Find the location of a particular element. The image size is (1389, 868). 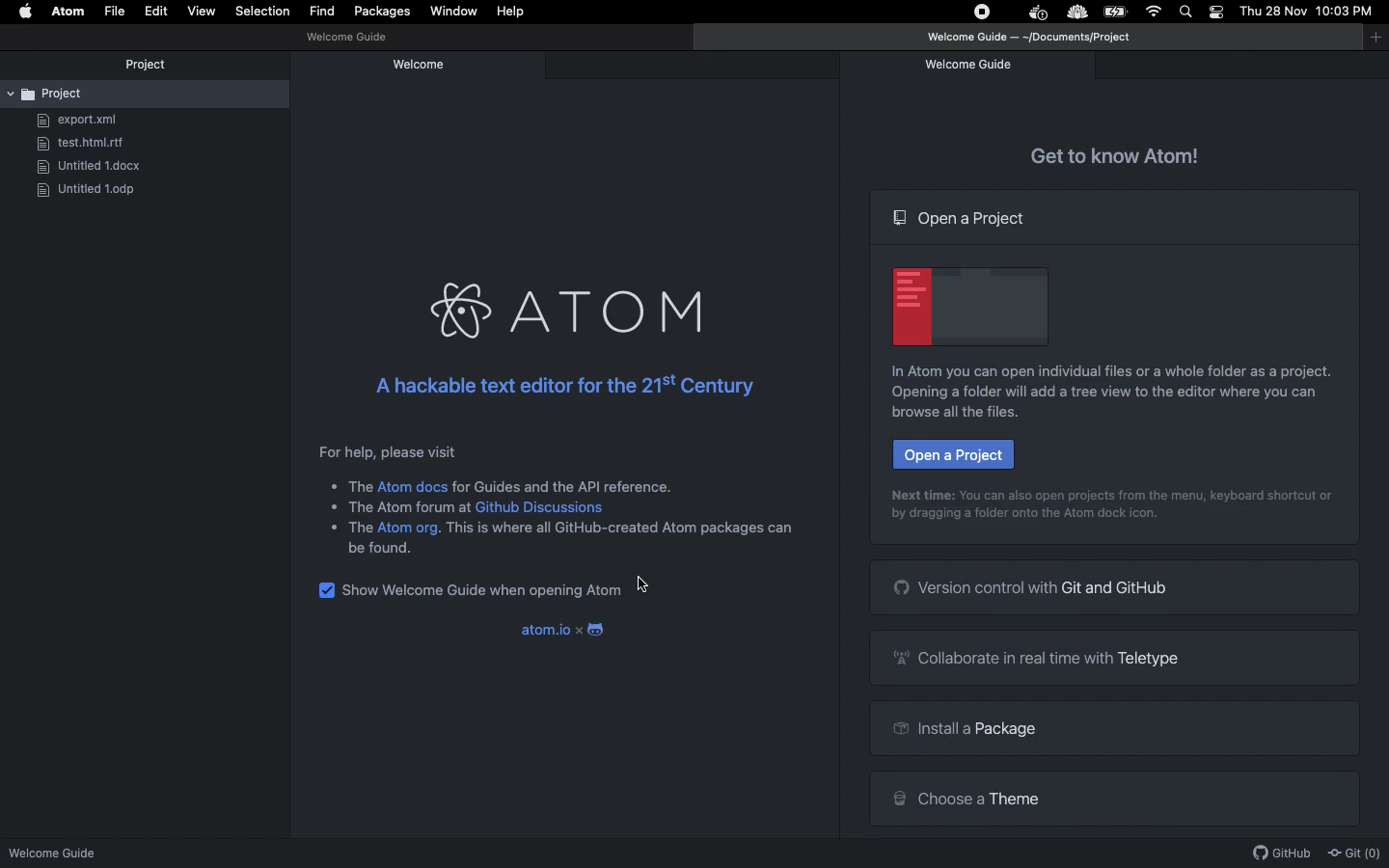

Selection is located at coordinates (262, 12).